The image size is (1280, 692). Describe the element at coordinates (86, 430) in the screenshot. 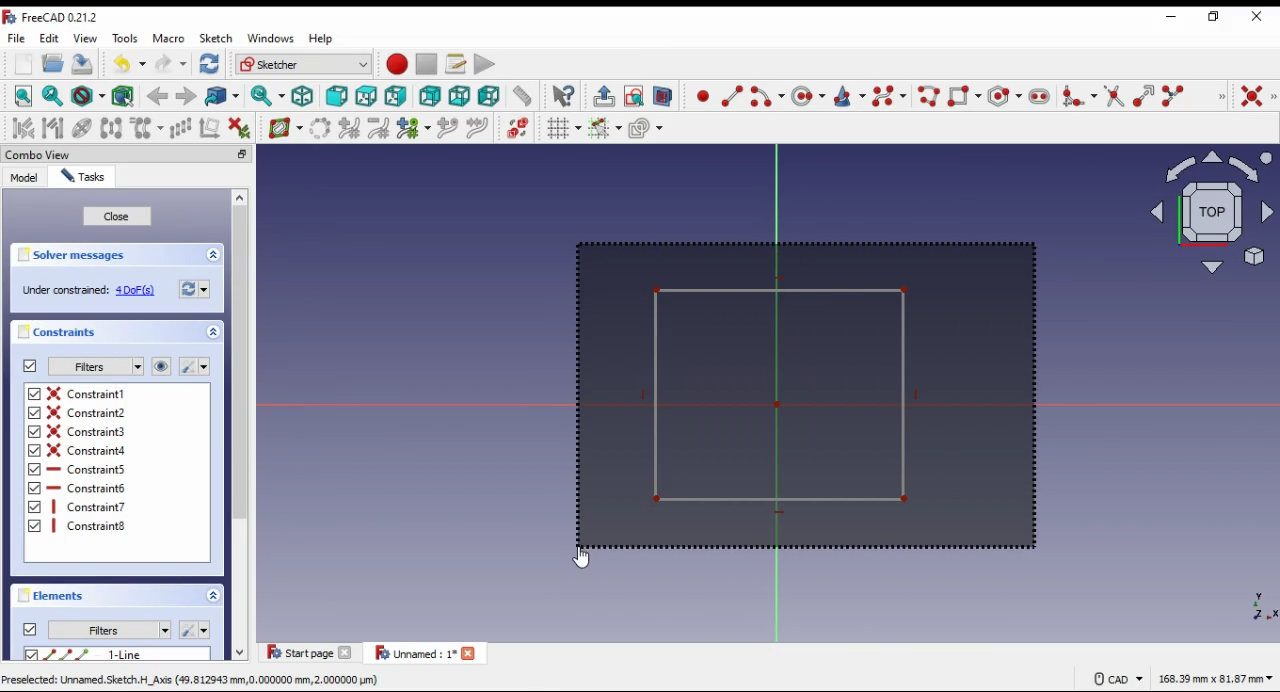

I see `on/off constraint 3` at that location.